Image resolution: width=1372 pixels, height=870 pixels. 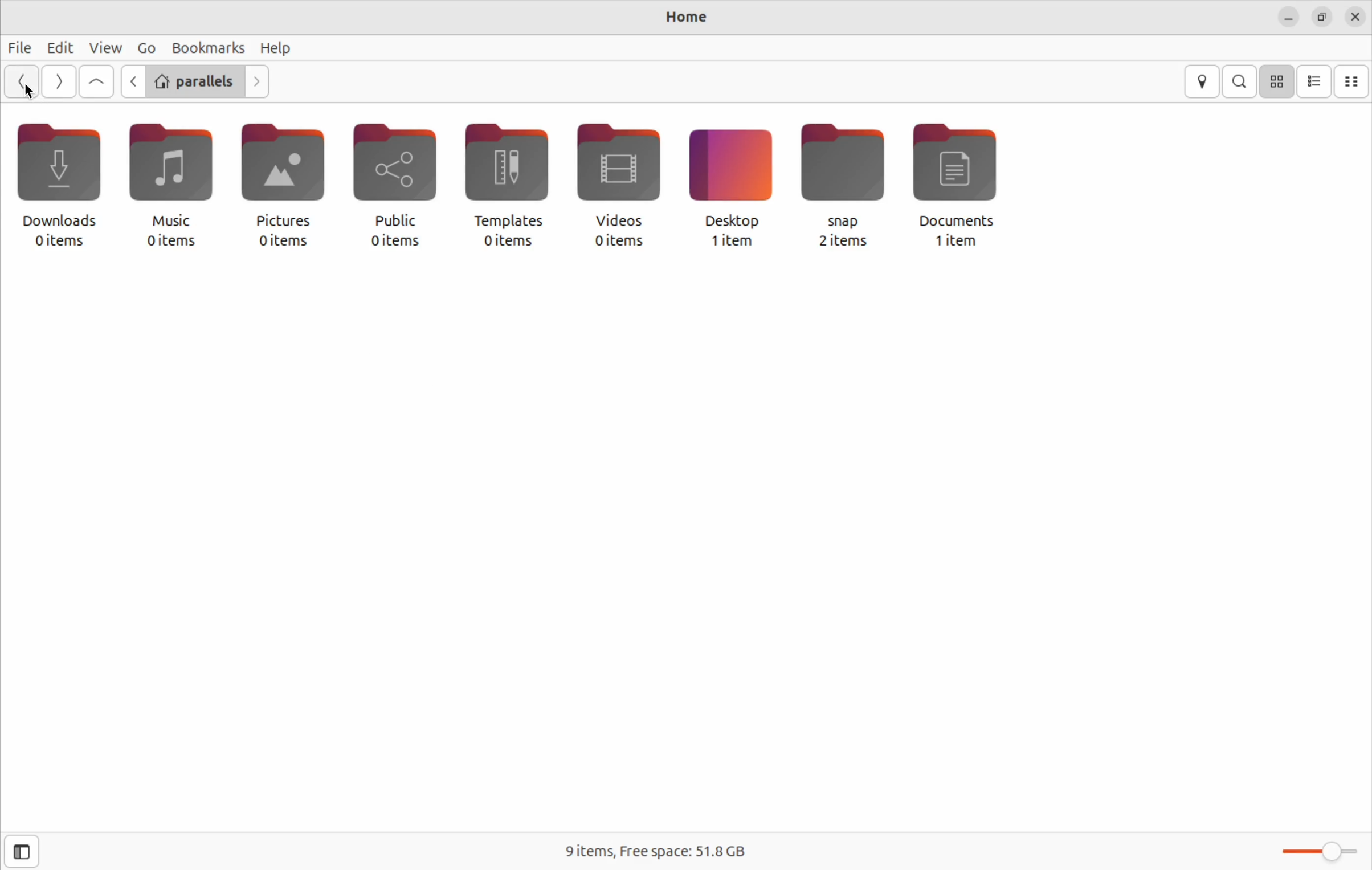 What do you see at coordinates (390, 183) in the screenshot?
I see `public 0 items` at bounding box center [390, 183].